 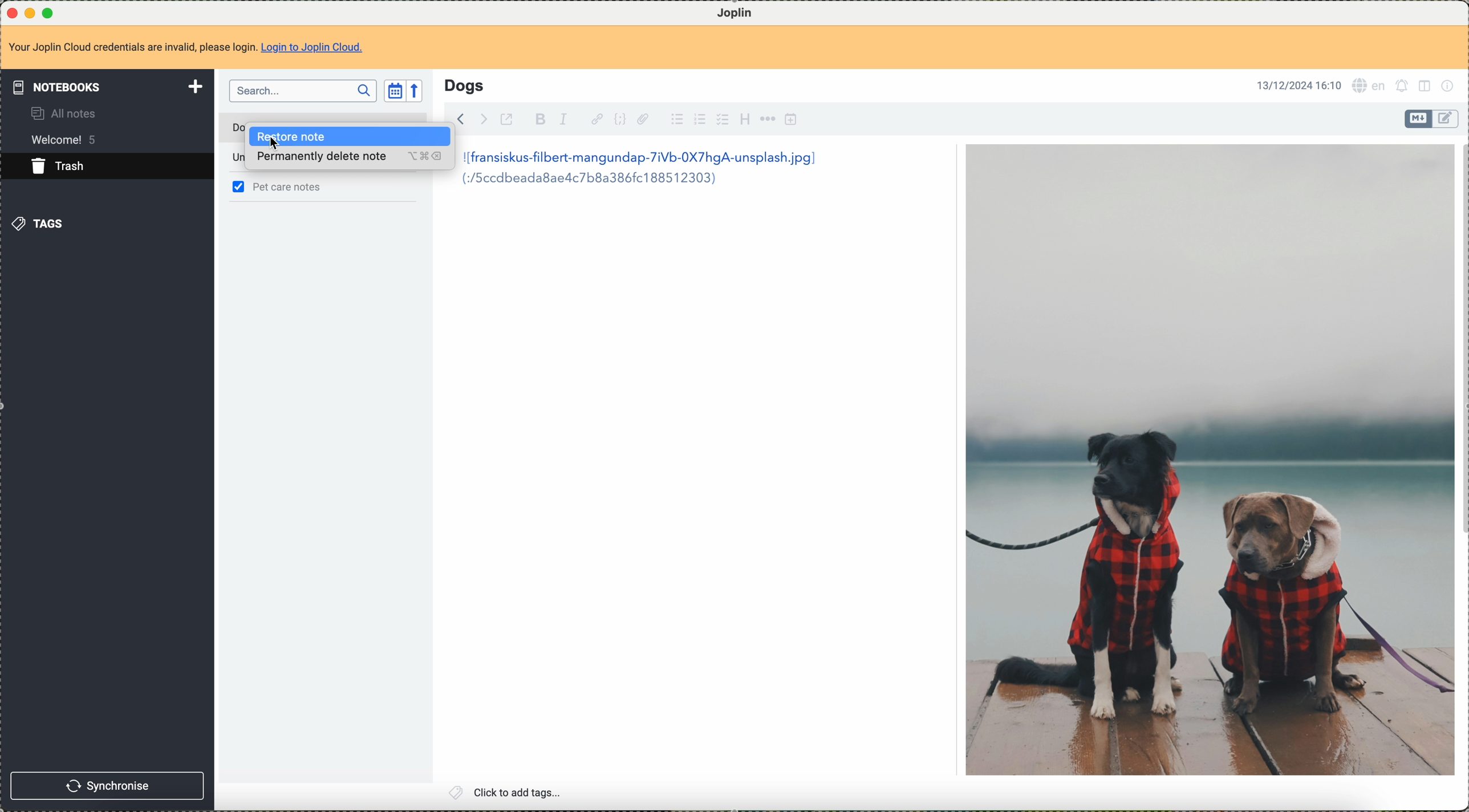 What do you see at coordinates (68, 140) in the screenshot?
I see `welcome` at bounding box center [68, 140].